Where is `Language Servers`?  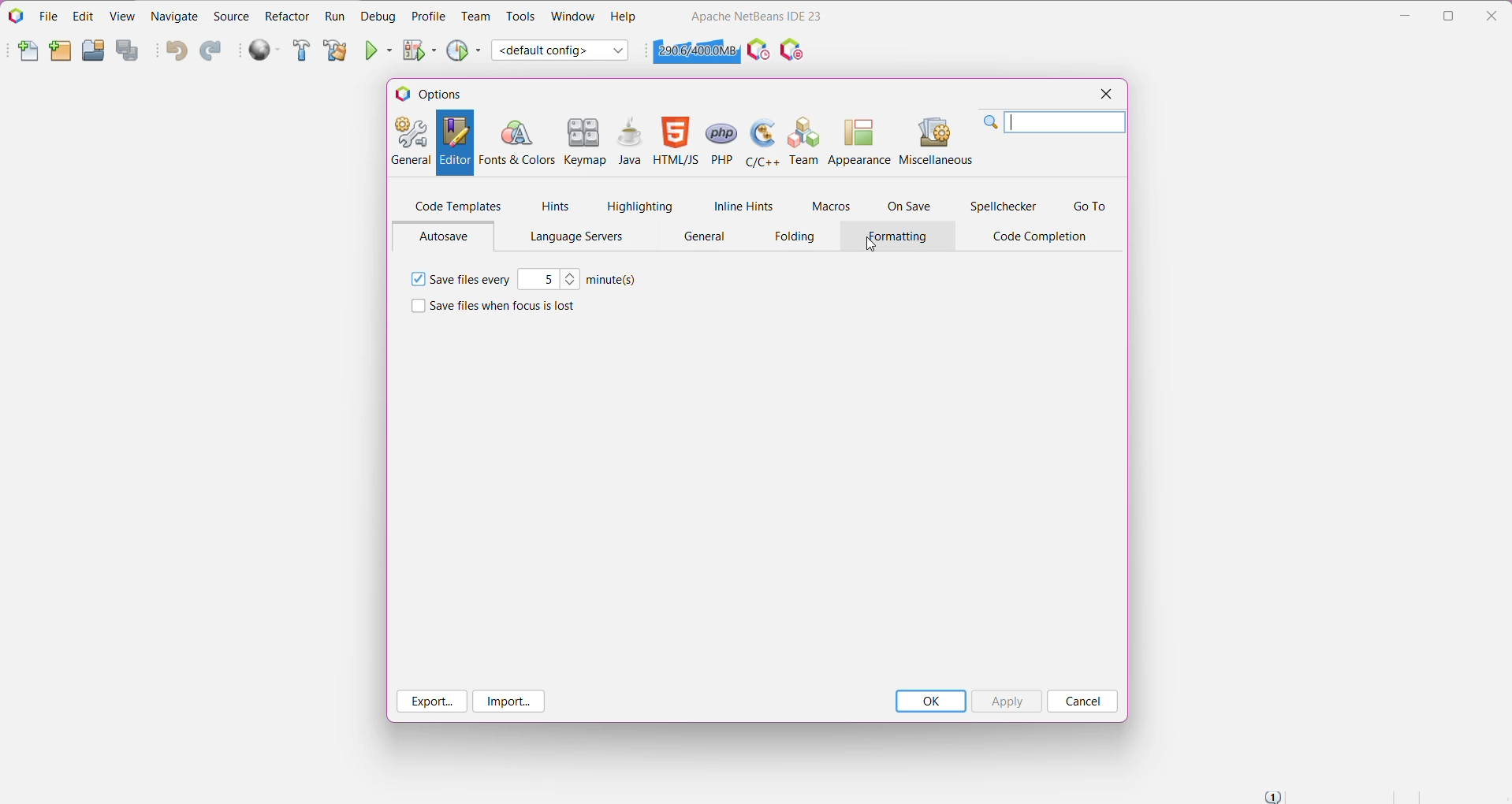 Language Servers is located at coordinates (572, 237).